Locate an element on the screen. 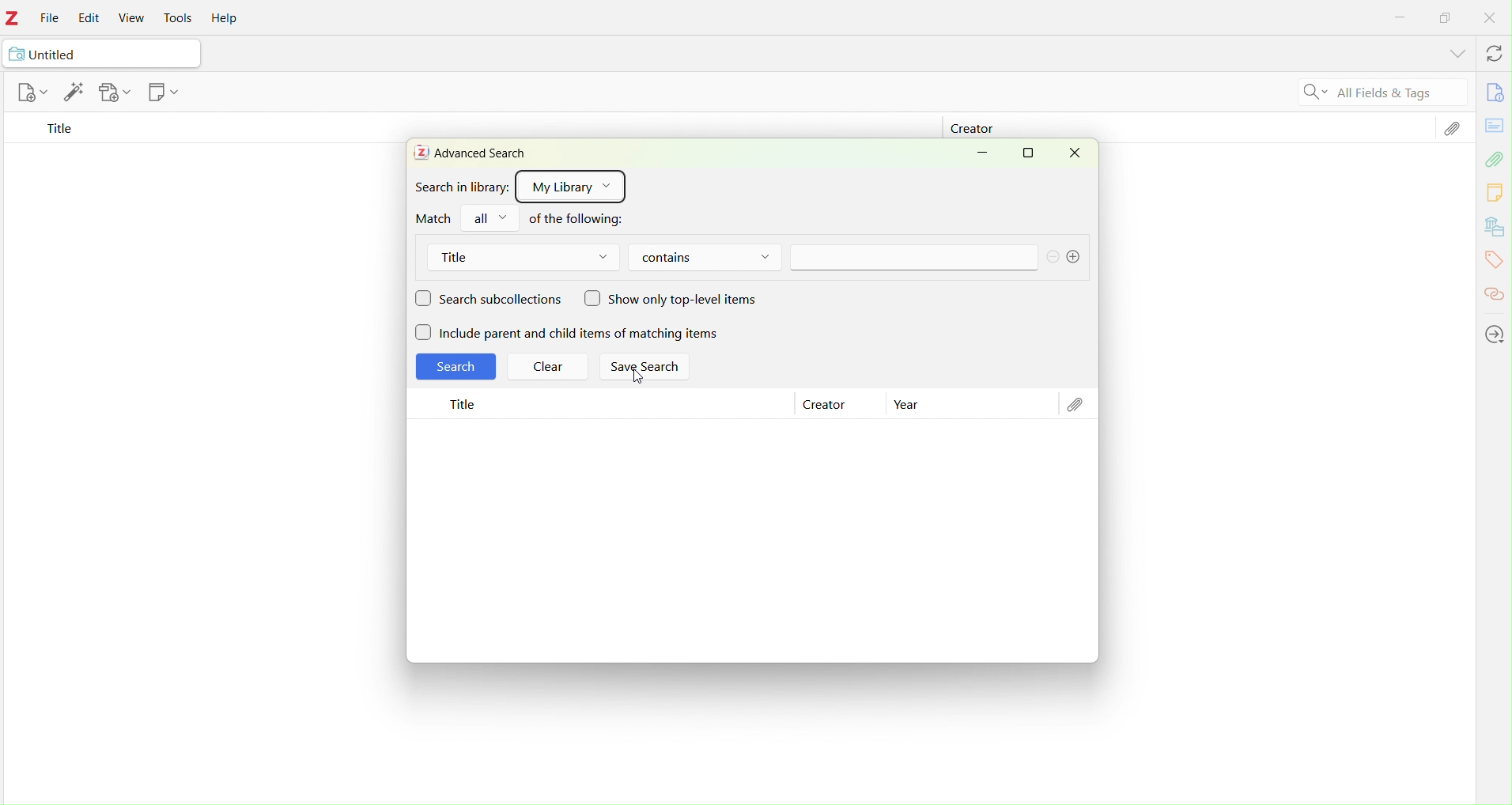 The height and width of the screenshot is (805, 1512). Title is located at coordinates (456, 403).